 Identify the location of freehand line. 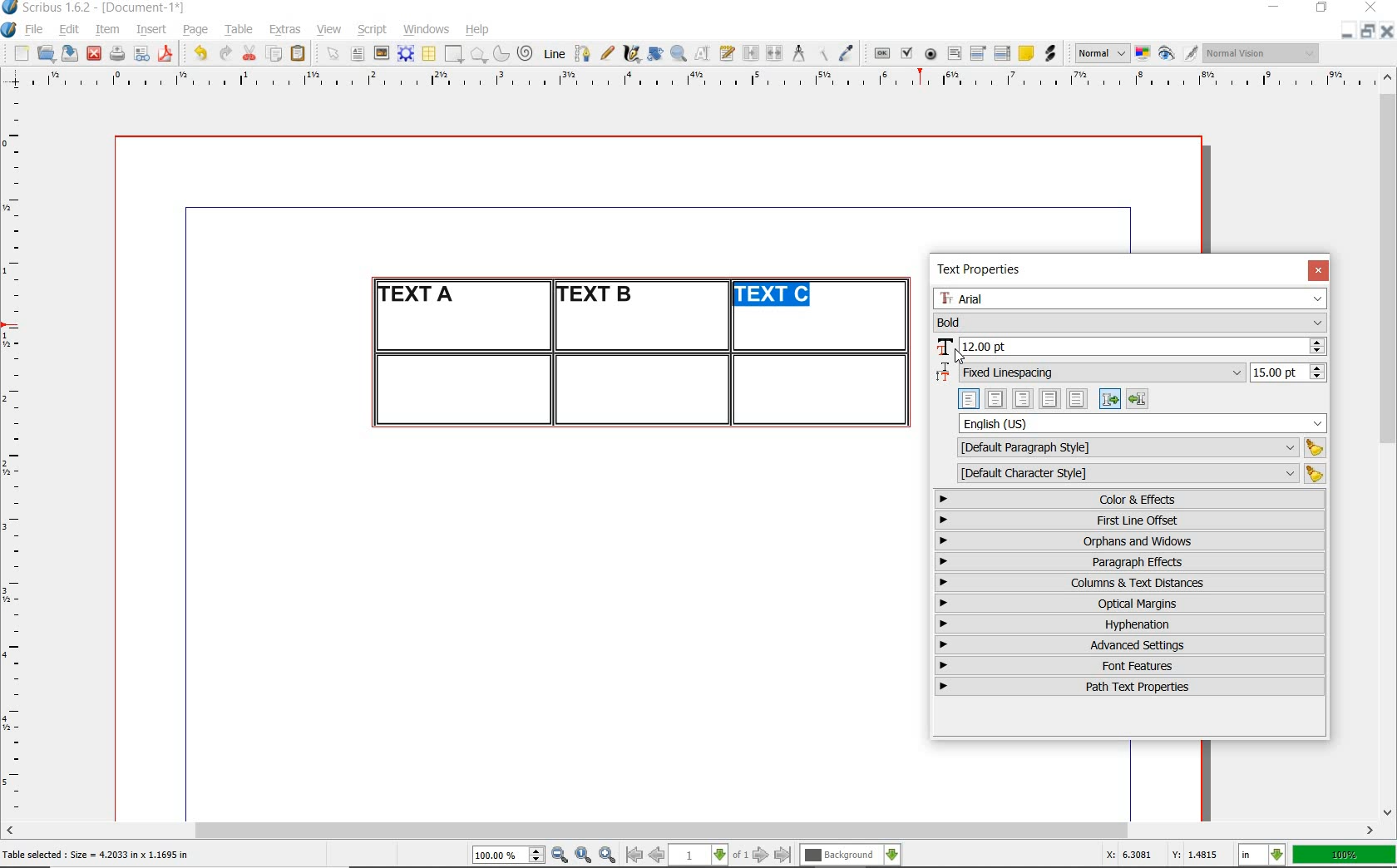
(607, 53).